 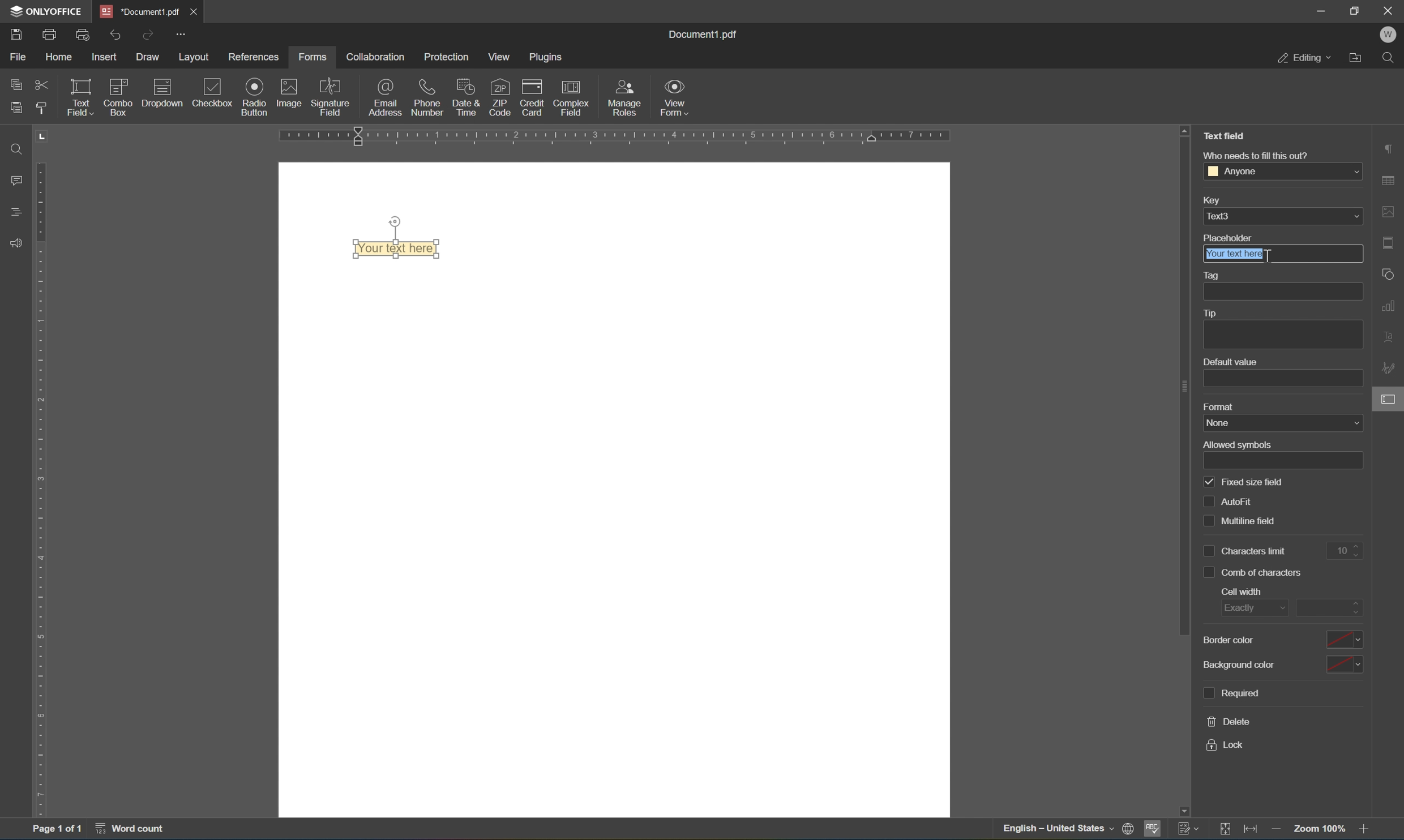 What do you see at coordinates (83, 35) in the screenshot?
I see `quick print` at bounding box center [83, 35].